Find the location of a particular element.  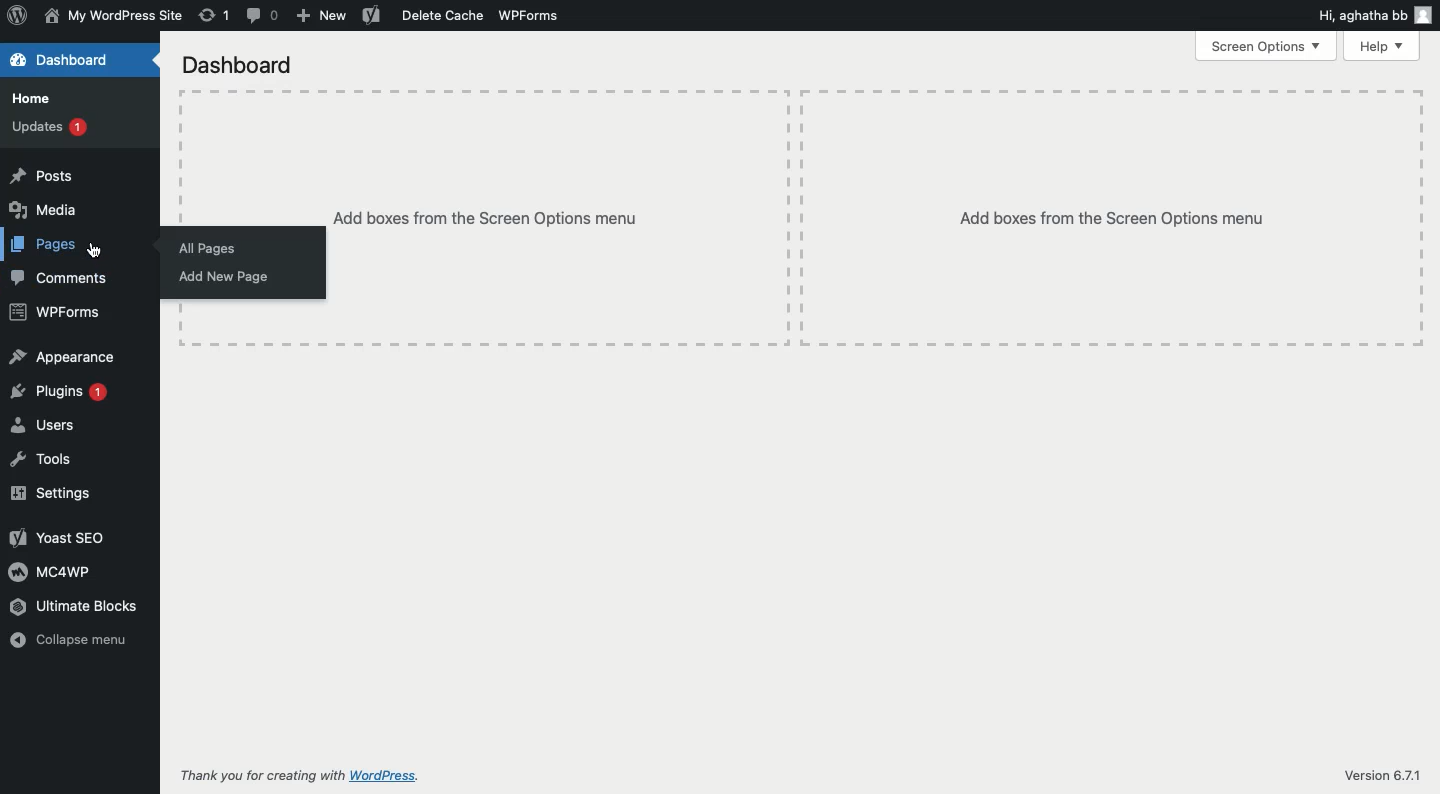

Ultimate blocks is located at coordinates (74, 606).